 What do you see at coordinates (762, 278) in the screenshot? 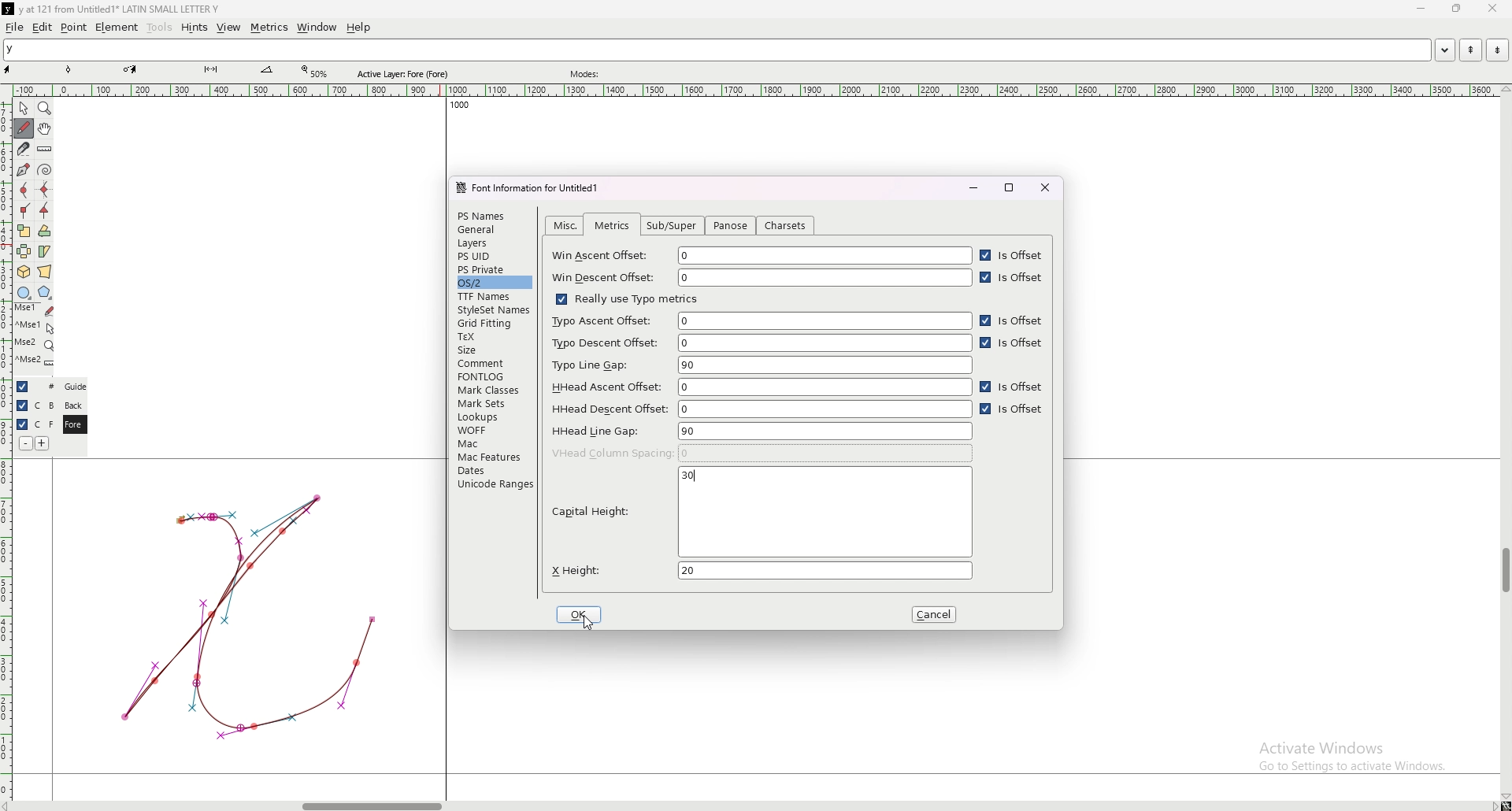
I see `win descent offset 0` at bounding box center [762, 278].